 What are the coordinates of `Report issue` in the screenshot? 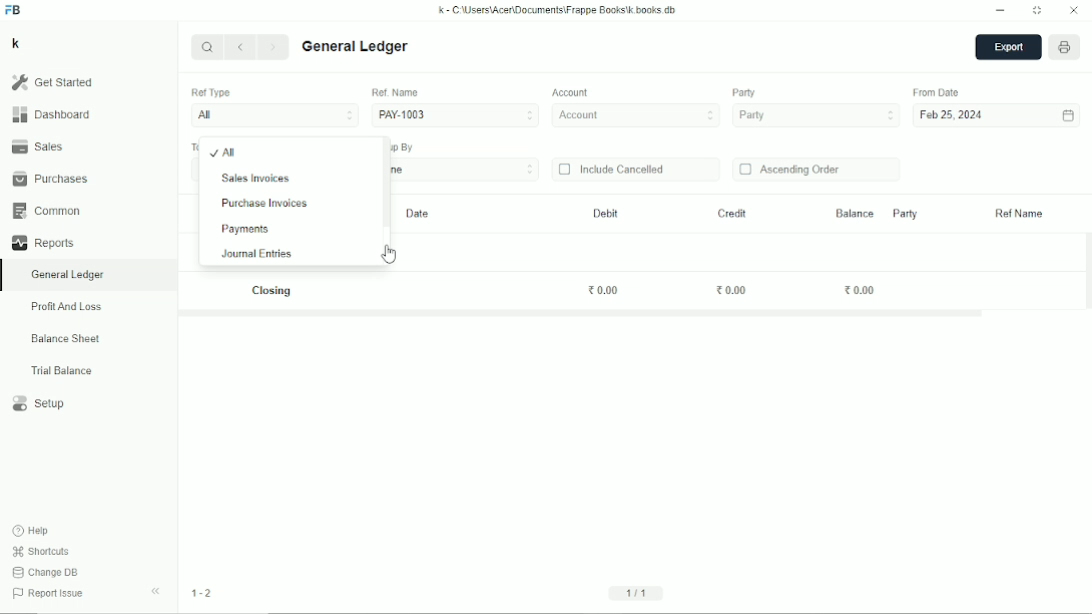 It's located at (51, 595).